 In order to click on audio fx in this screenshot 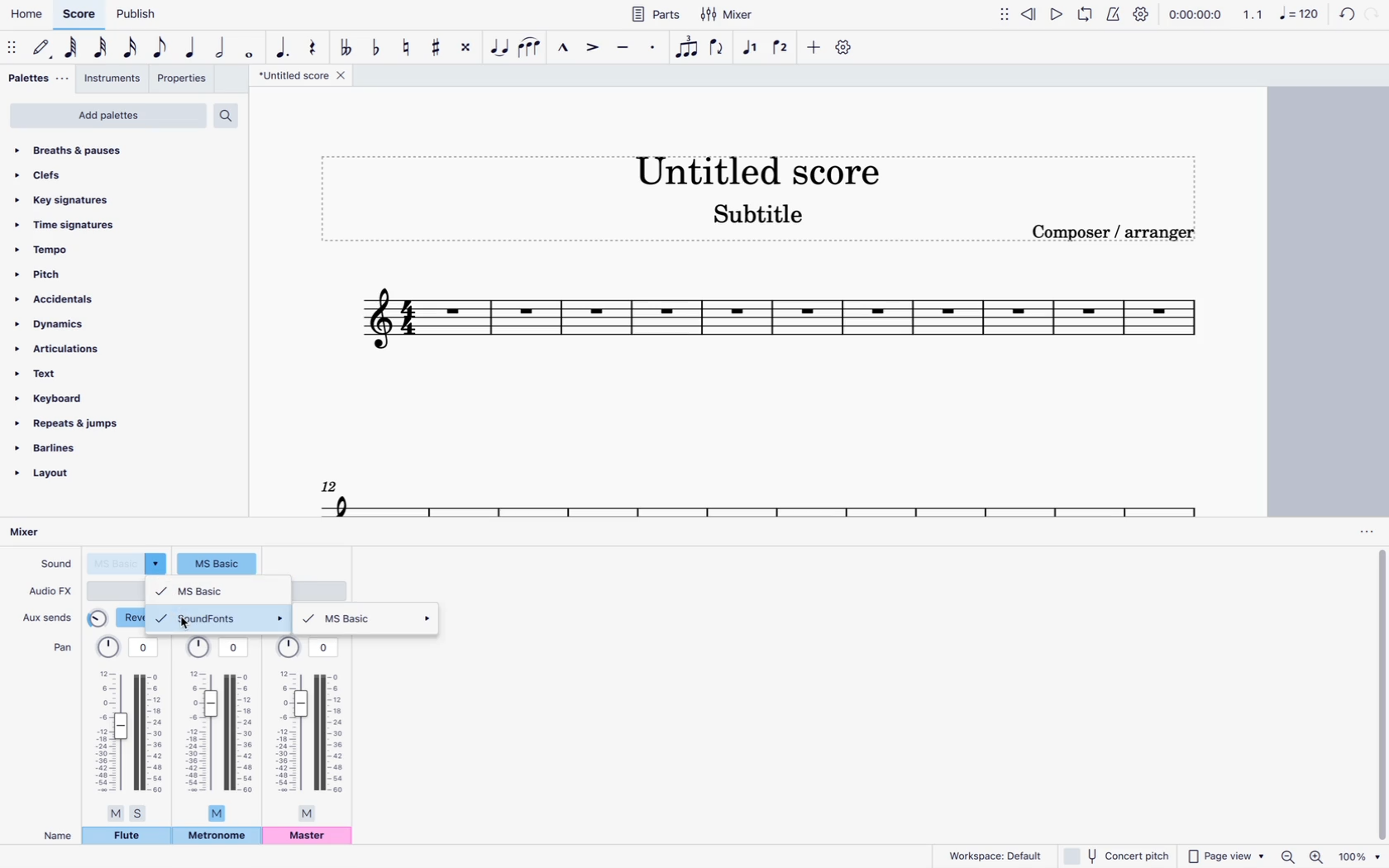, I will do `click(50, 591)`.